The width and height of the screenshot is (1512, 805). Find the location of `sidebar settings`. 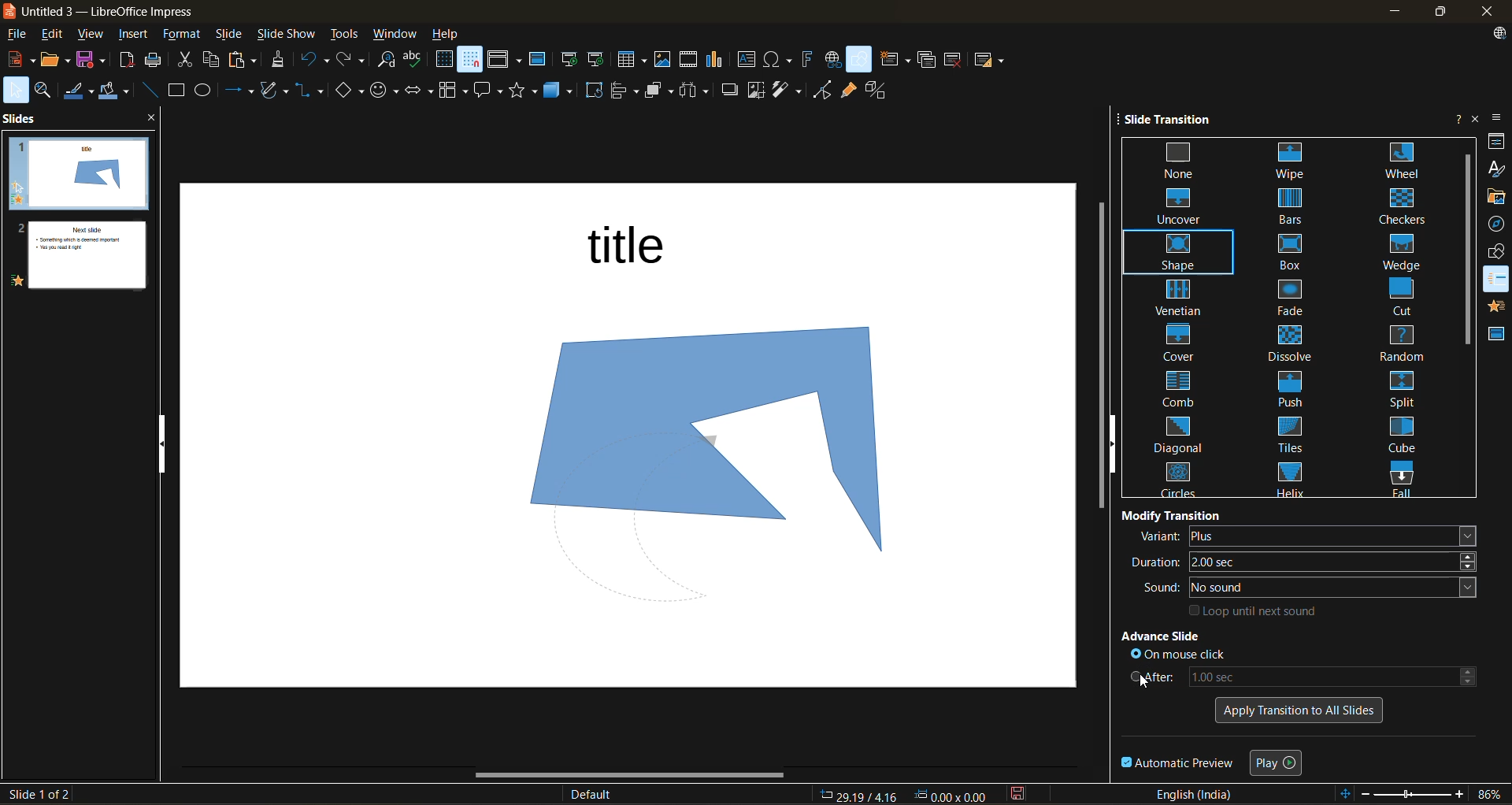

sidebar settings is located at coordinates (1499, 117).